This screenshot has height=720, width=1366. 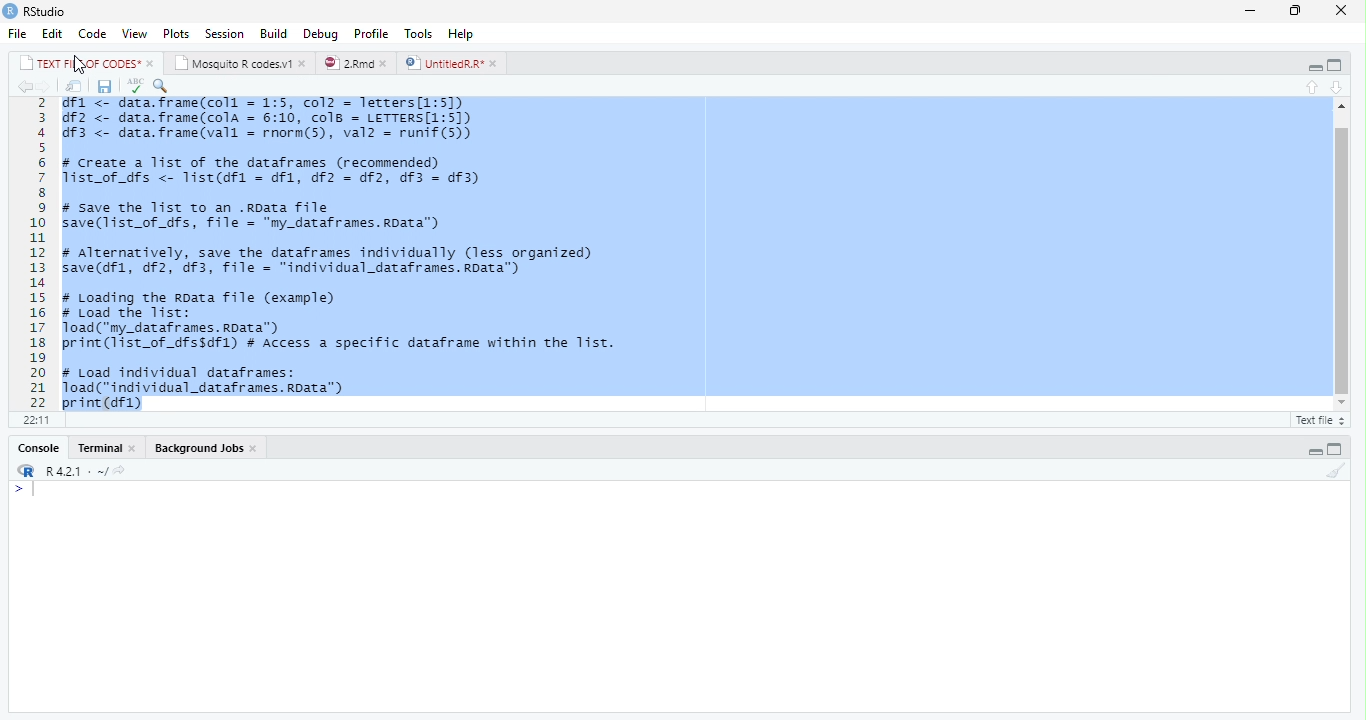 I want to click on R Script, so click(x=1318, y=419).